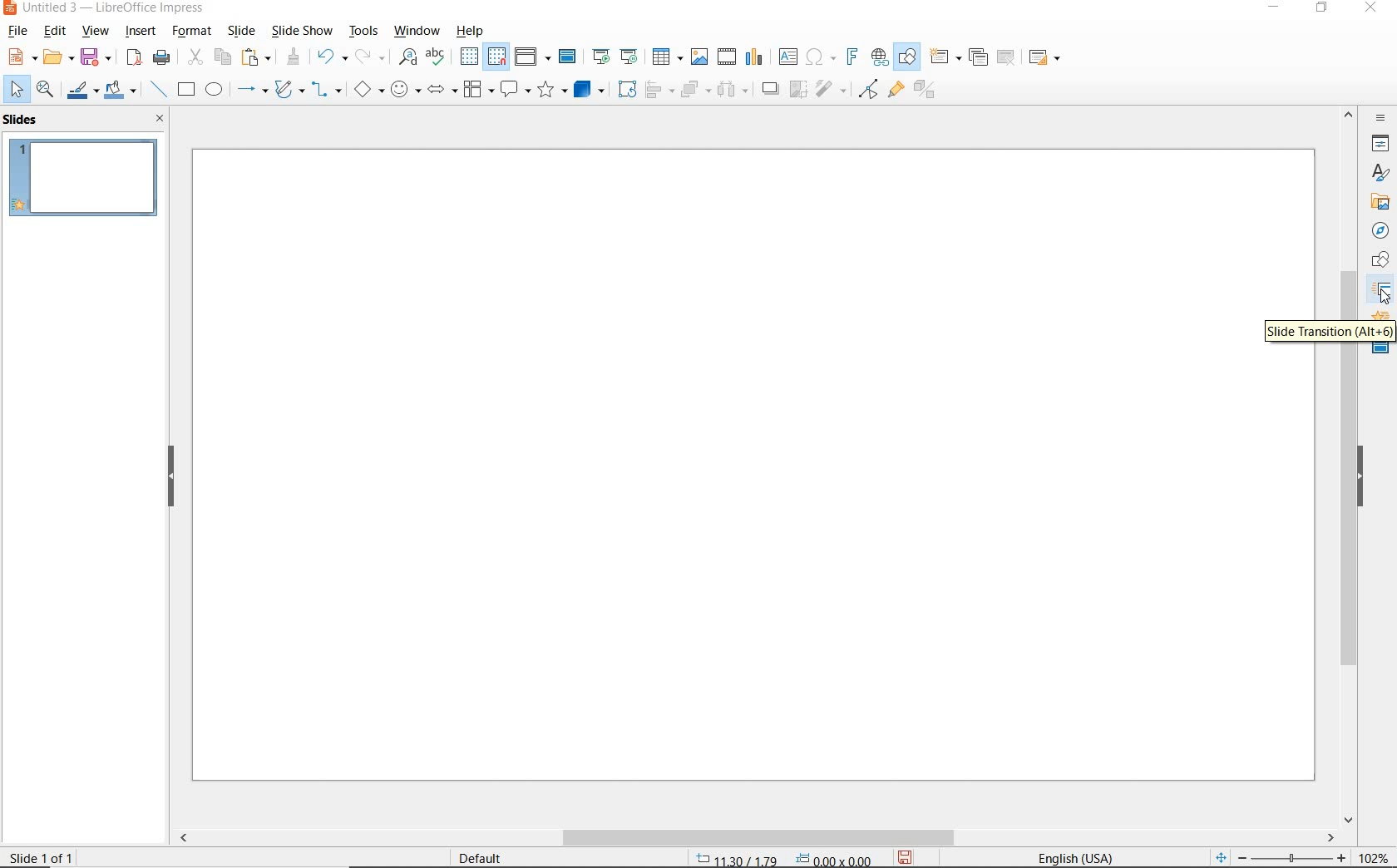  I want to click on SCROLLBAR, so click(753, 837).